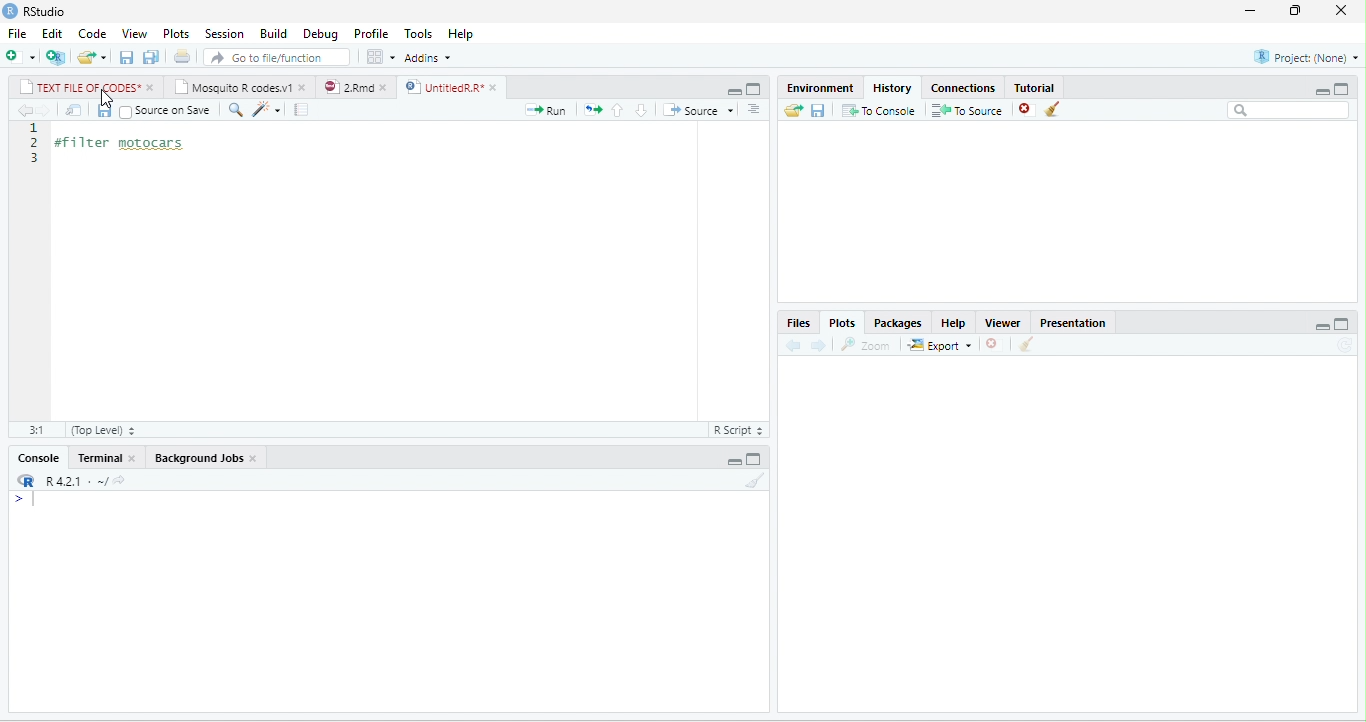 The height and width of the screenshot is (722, 1366). What do you see at coordinates (1322, 326) in the screenshot?
I see `minimize` at bounding box center [1322, 326].